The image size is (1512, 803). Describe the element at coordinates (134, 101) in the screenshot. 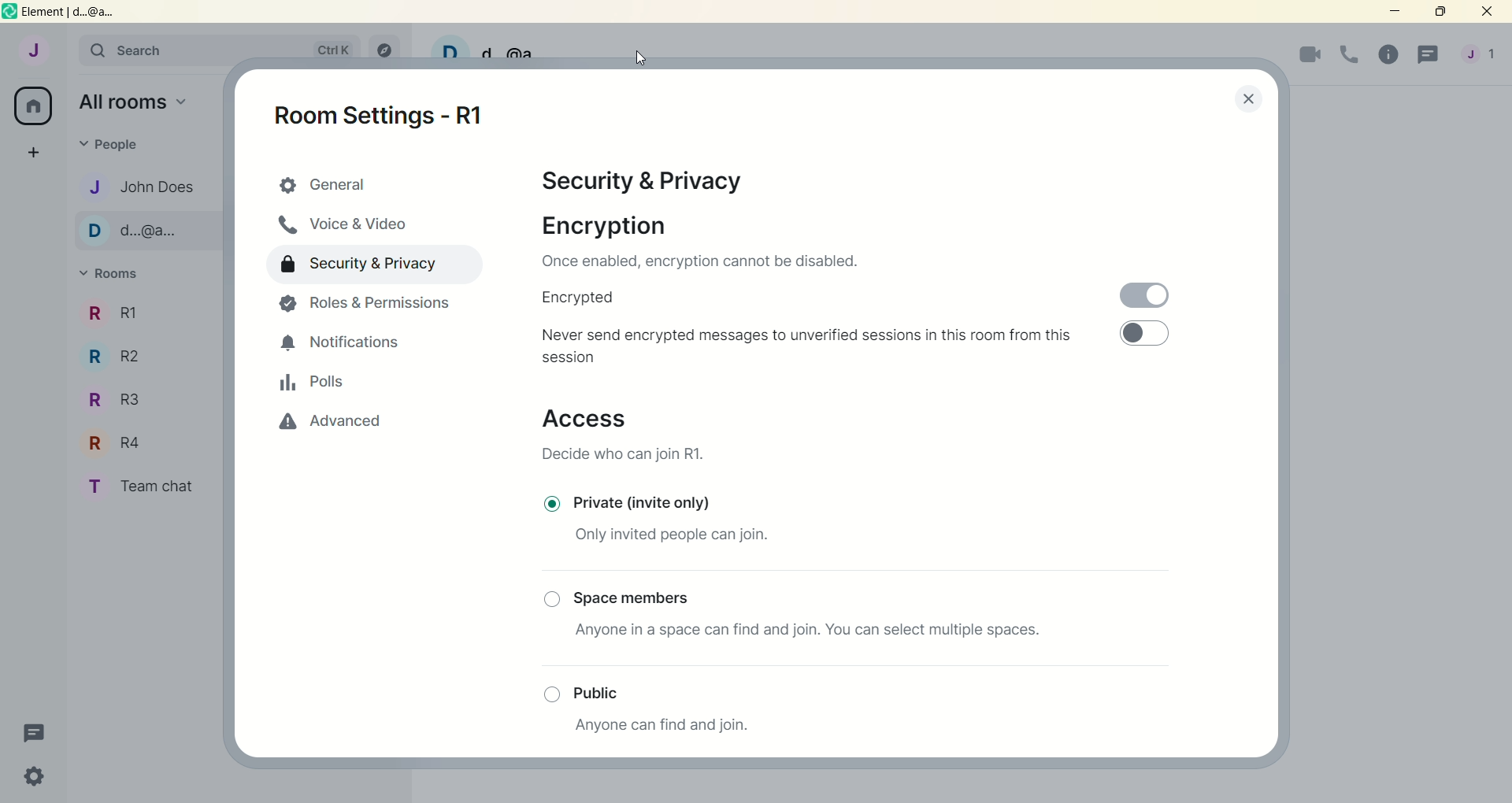

I see `all rooms` at that location.